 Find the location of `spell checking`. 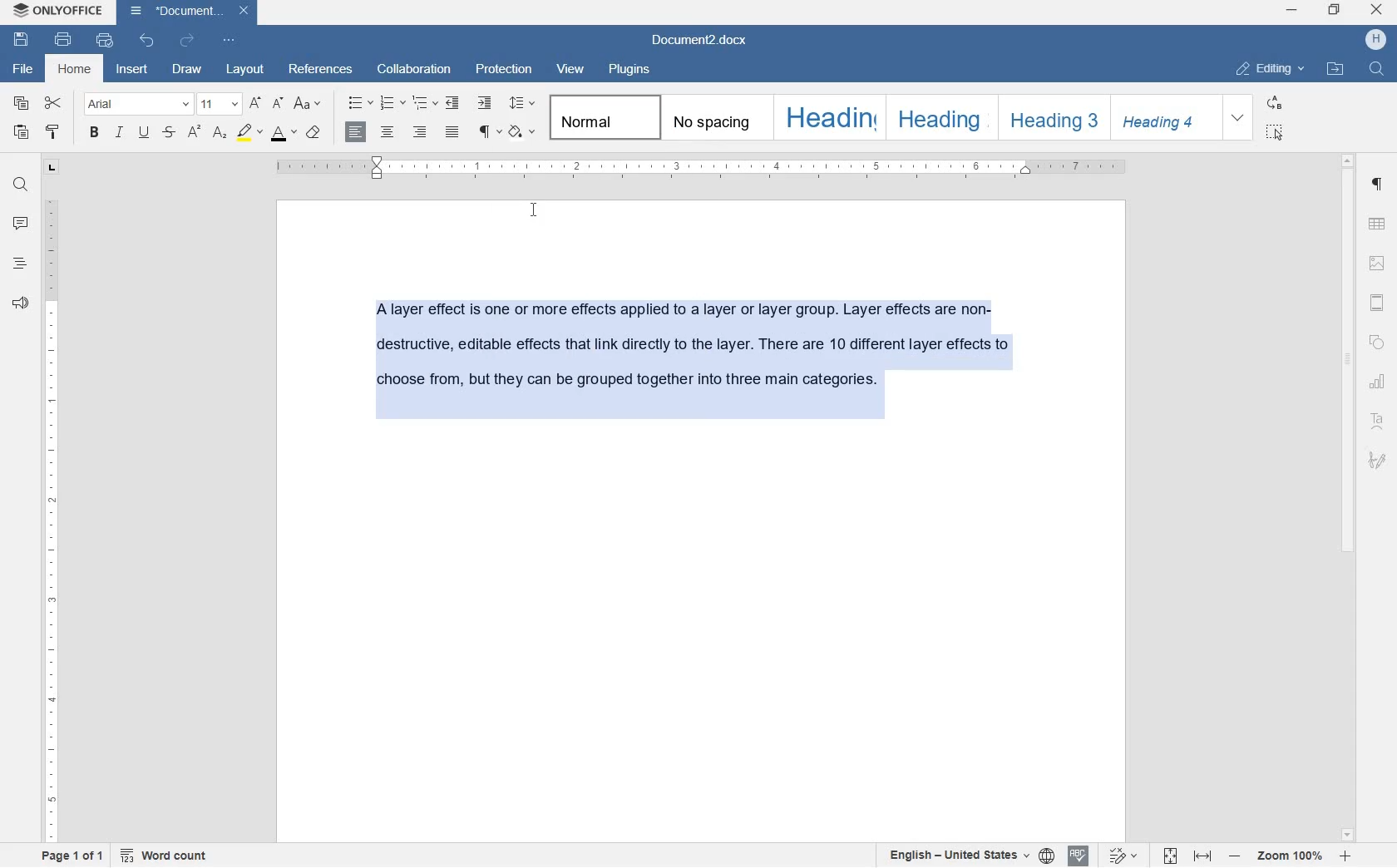

spell checking is located at coordinates (1078, 856).